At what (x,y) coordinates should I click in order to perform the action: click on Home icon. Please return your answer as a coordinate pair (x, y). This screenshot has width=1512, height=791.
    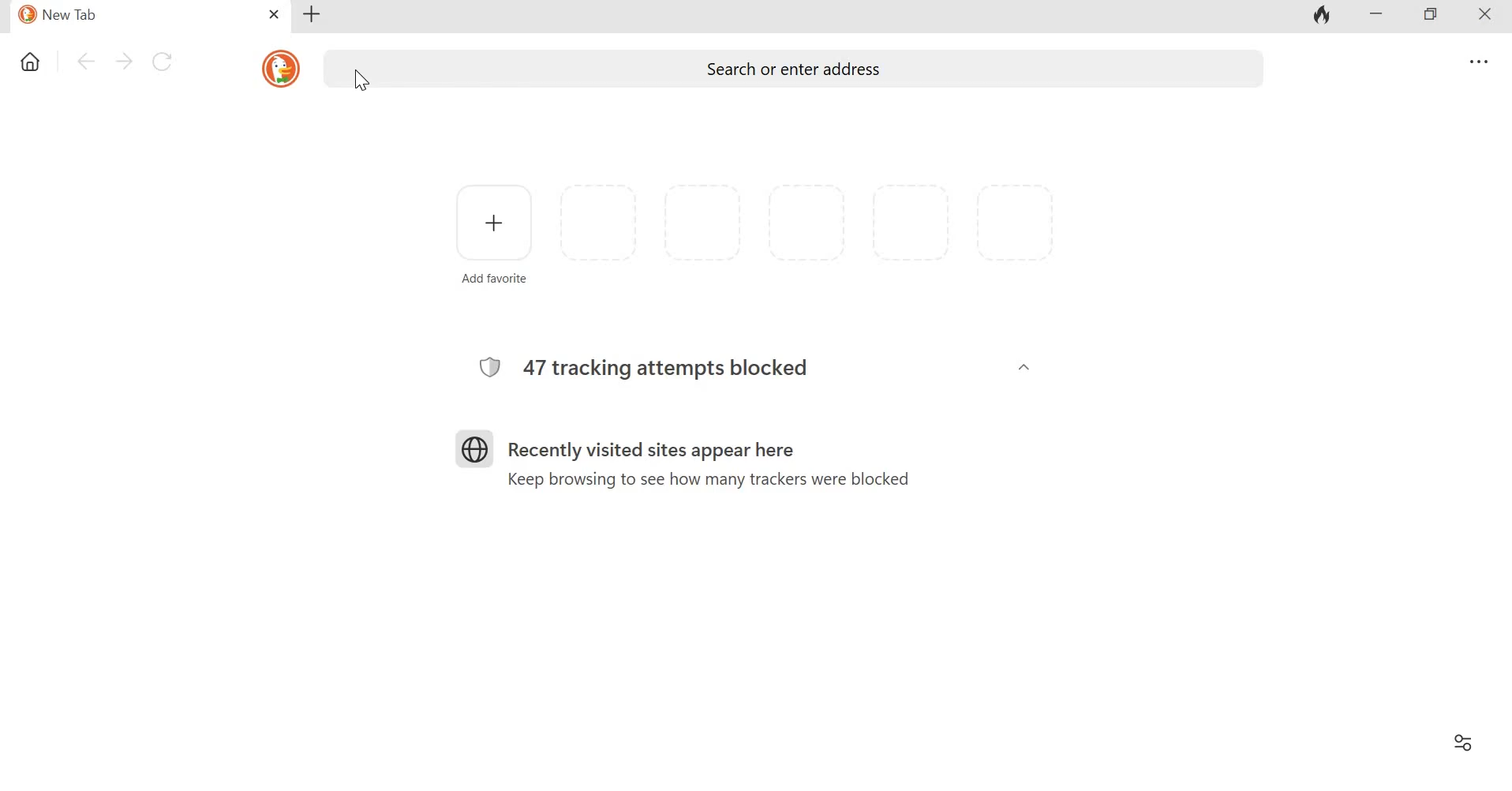
    Looking at the image, I should click on (29, 64).